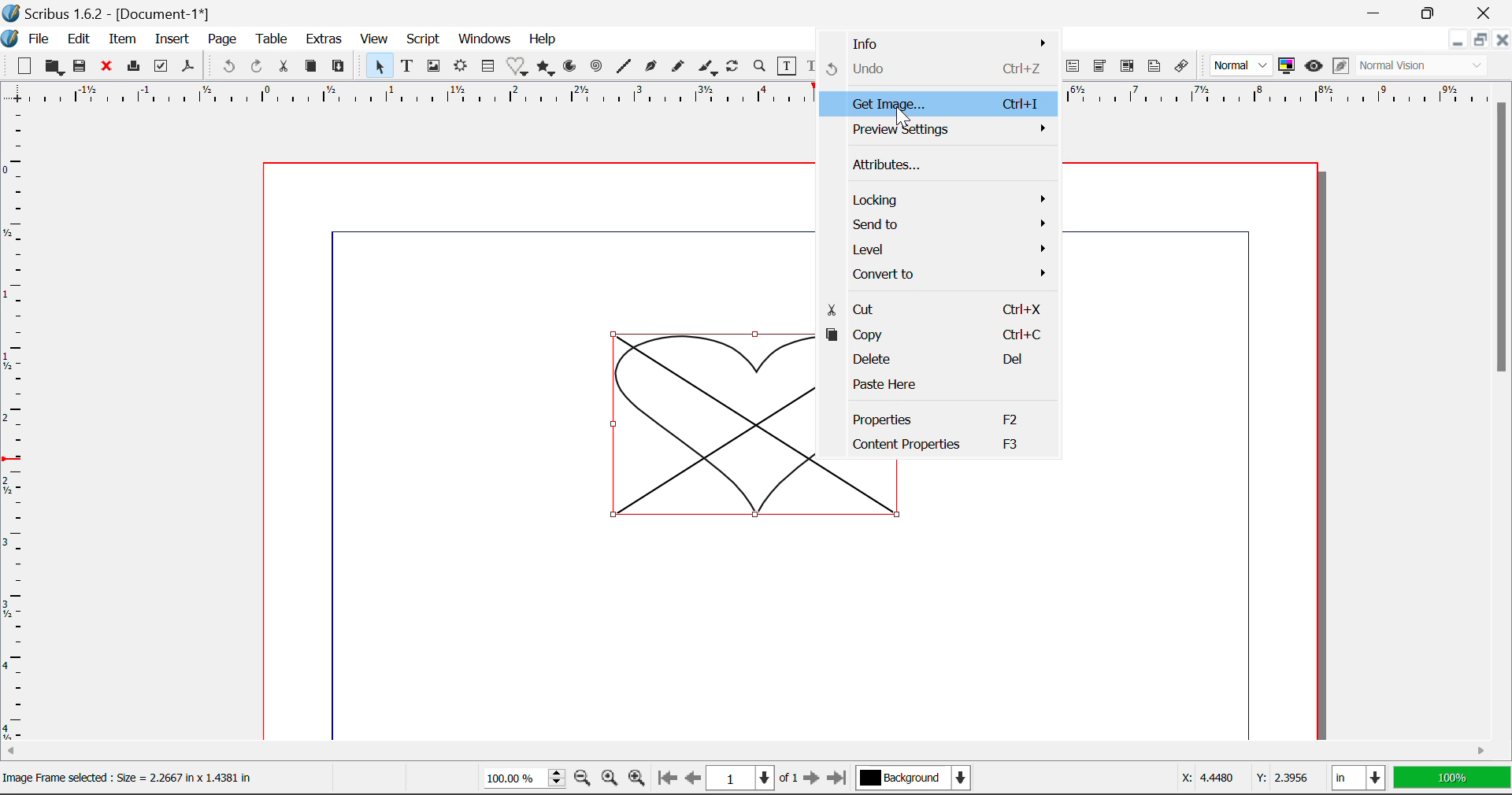 The image size is (1512, 795). I want to click on Text Annotation, so click(1153, 67).